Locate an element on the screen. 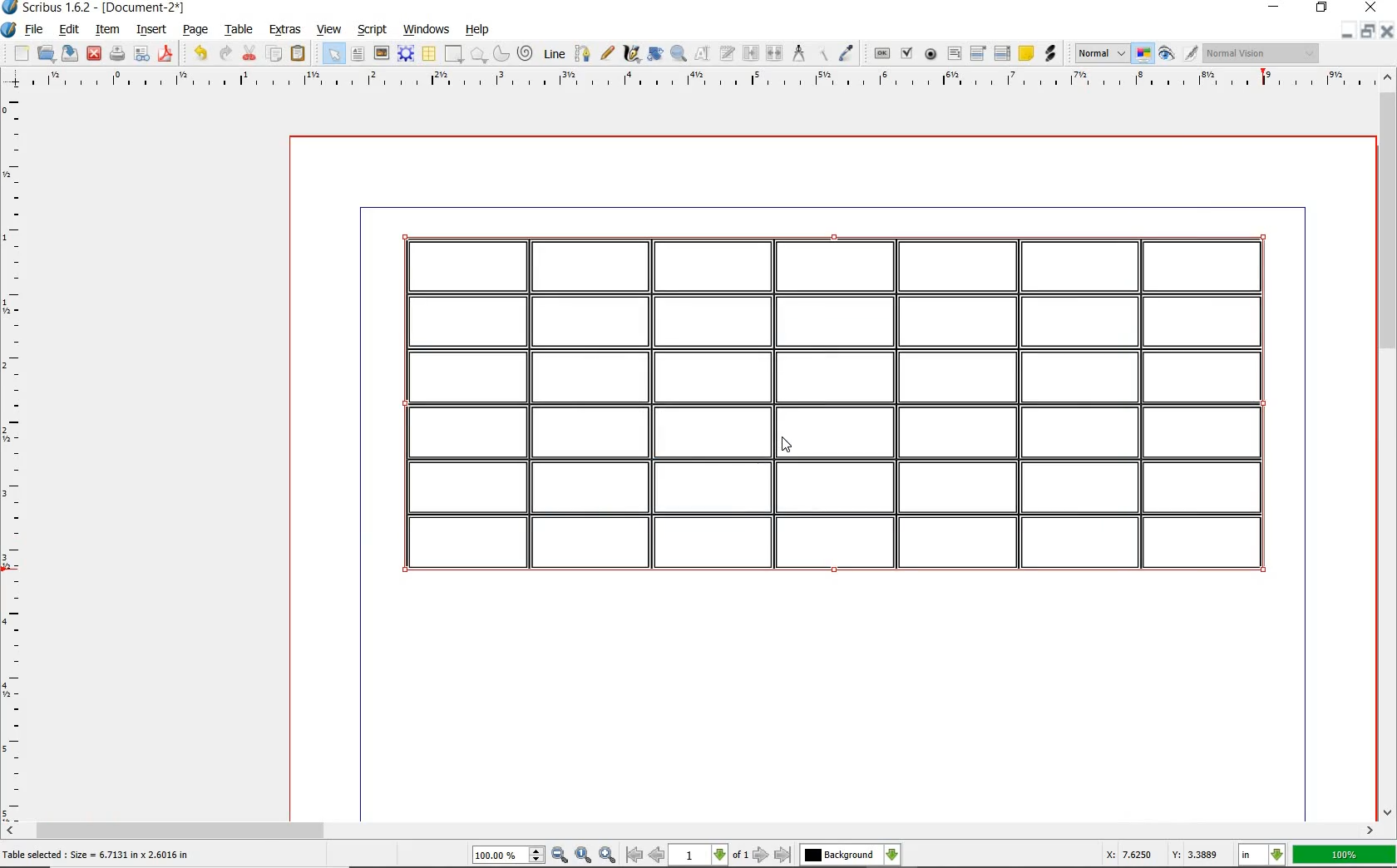 The width and height of the screenshot is (1397, 868). paste is located at coordinates (299, 55).